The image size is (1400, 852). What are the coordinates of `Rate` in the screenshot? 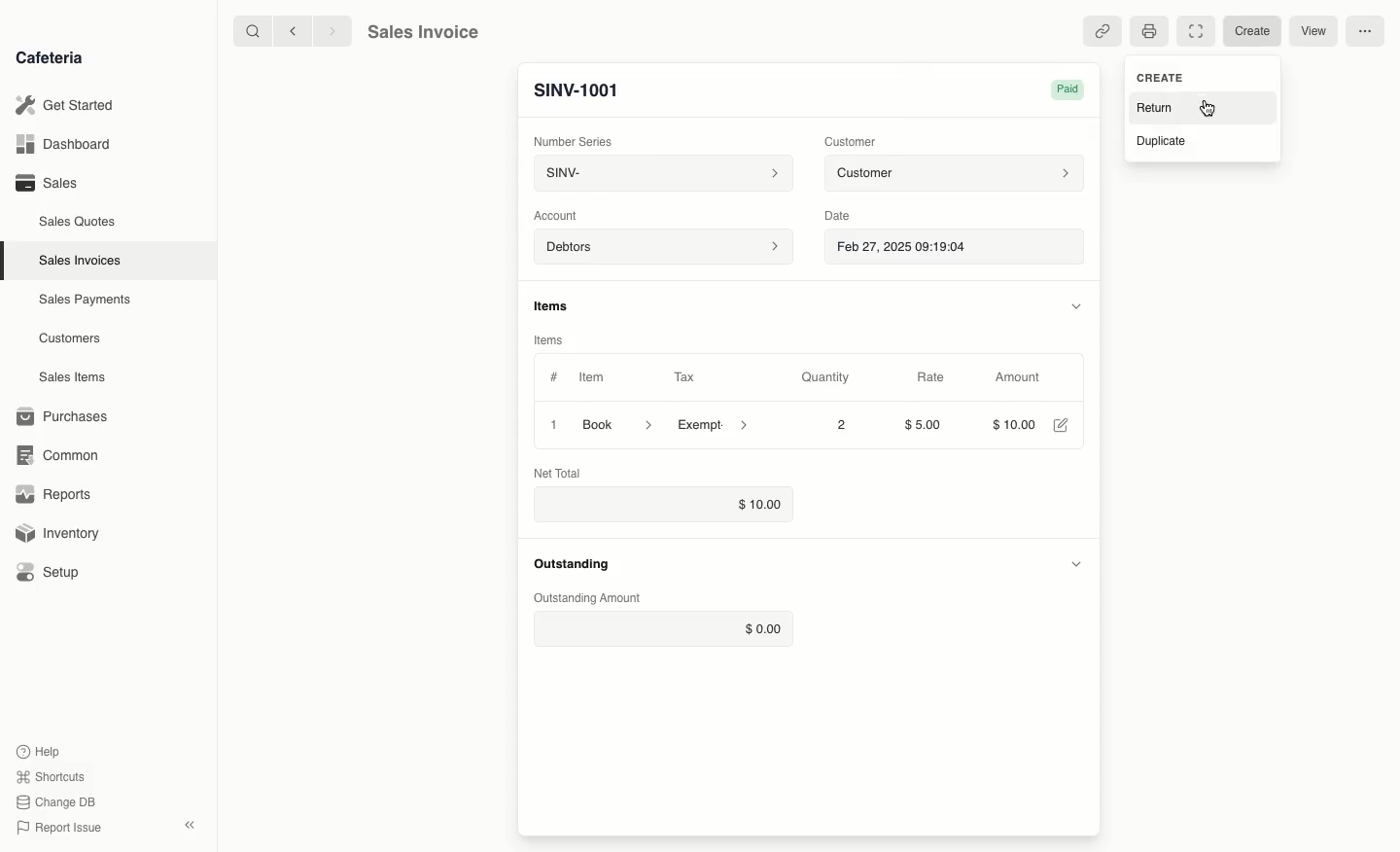 It's located at (930, 377).